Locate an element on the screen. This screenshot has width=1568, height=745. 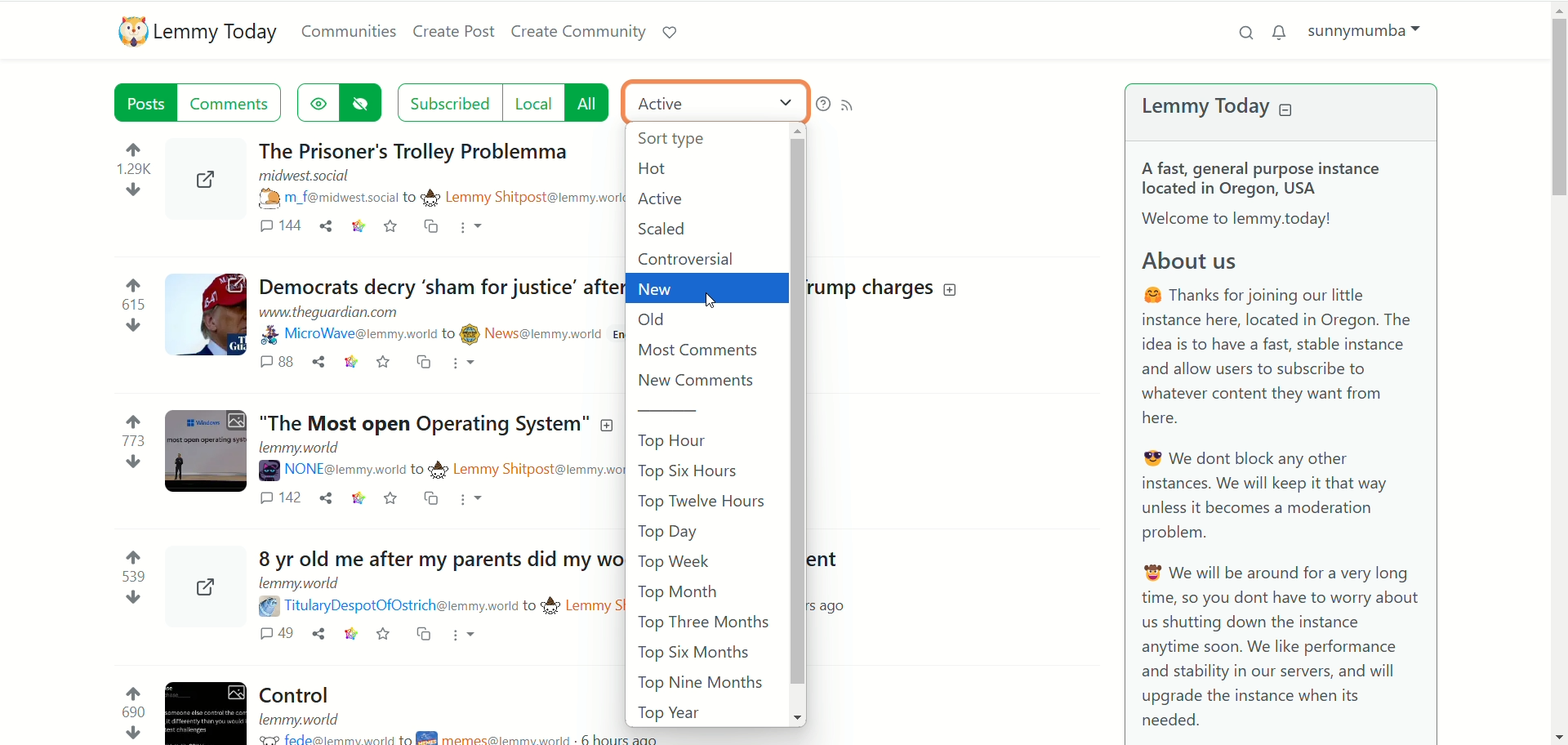
share is located at coordinates (317, 636).